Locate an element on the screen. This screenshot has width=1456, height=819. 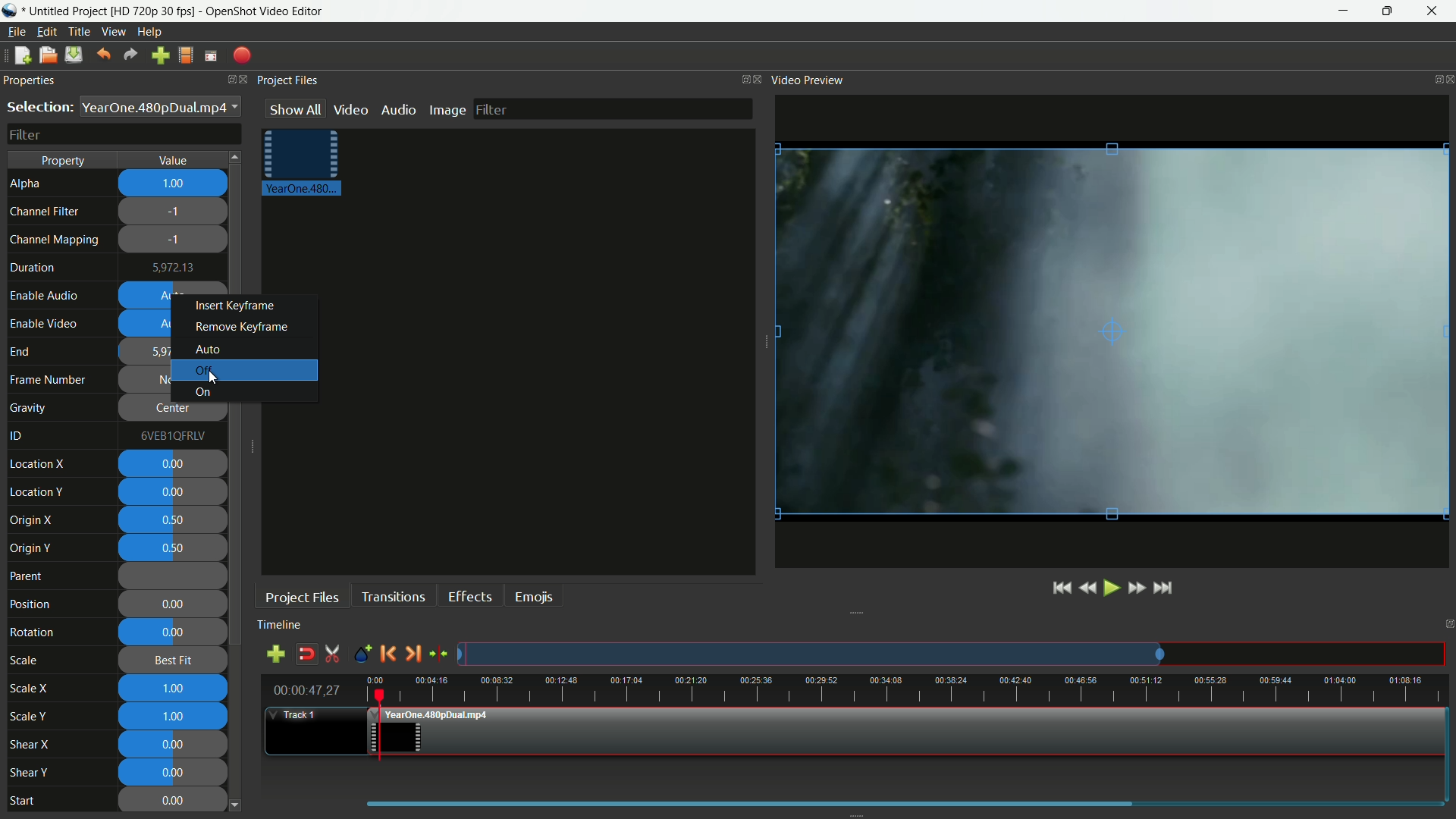
next marker is located at coordinates (416, 651).